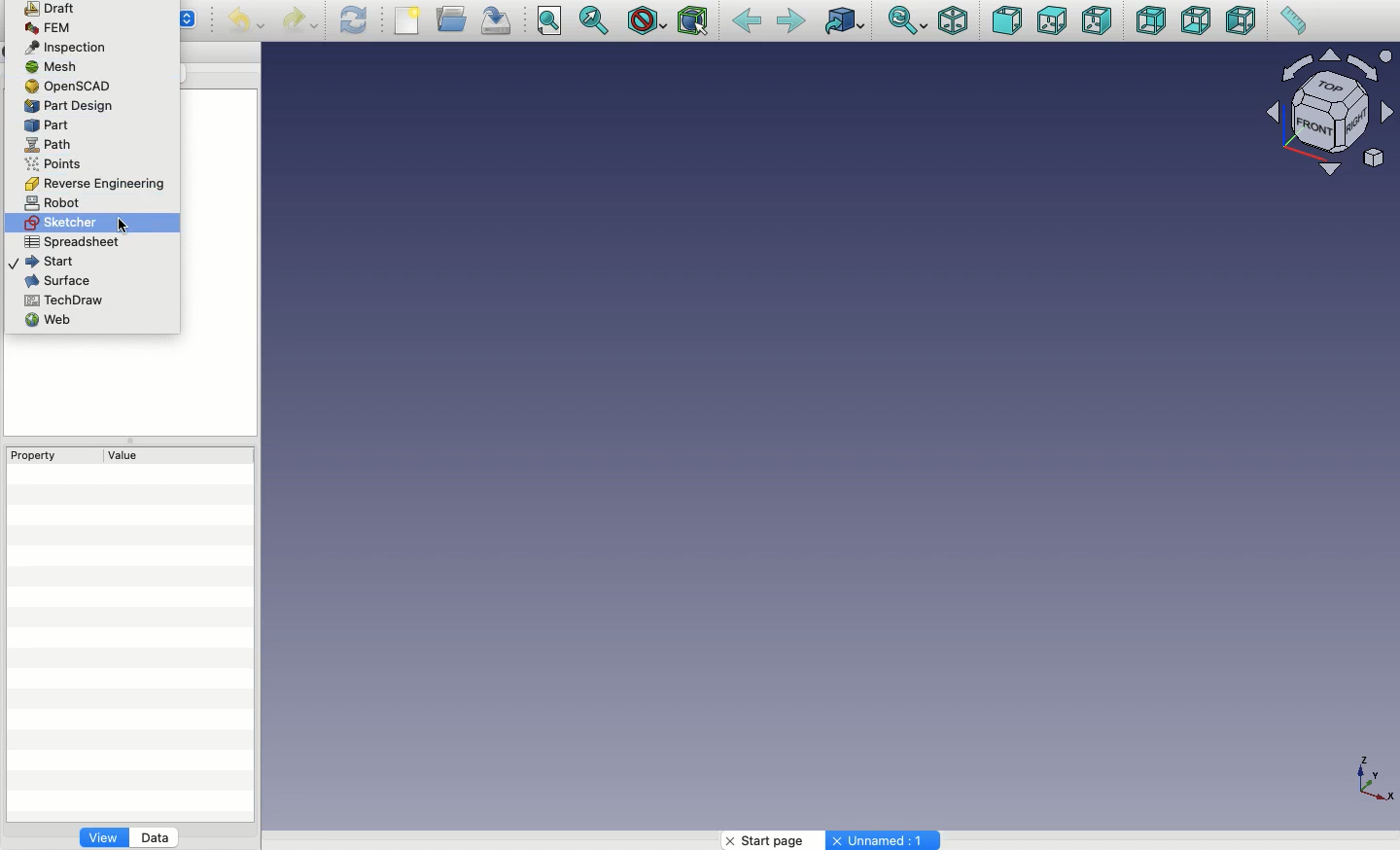  Describe the element at coordinates (157, 836) in the screenshot. I see `Data` at that location.